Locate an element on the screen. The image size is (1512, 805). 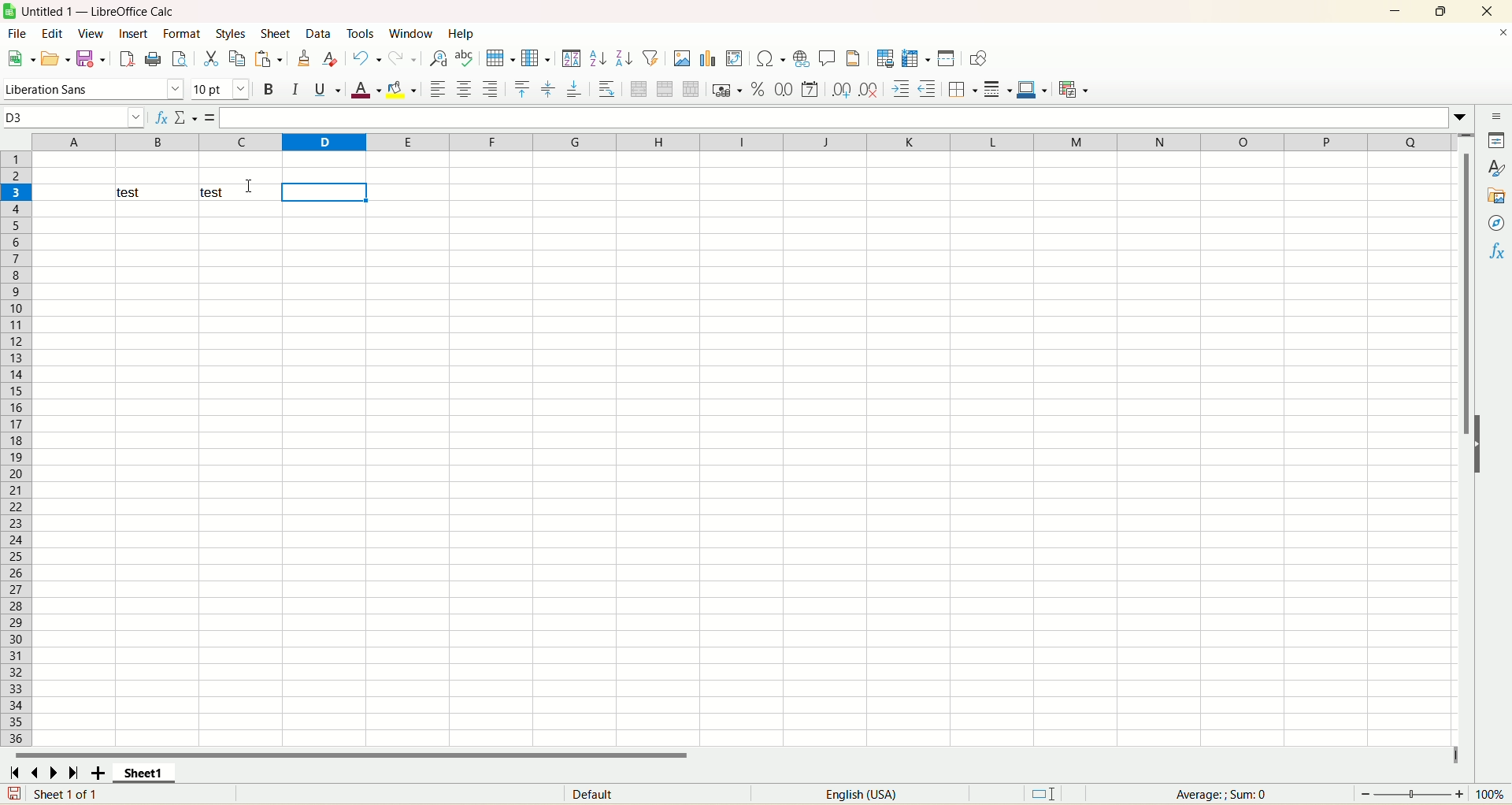
close is located at coordinates (1488, 11).